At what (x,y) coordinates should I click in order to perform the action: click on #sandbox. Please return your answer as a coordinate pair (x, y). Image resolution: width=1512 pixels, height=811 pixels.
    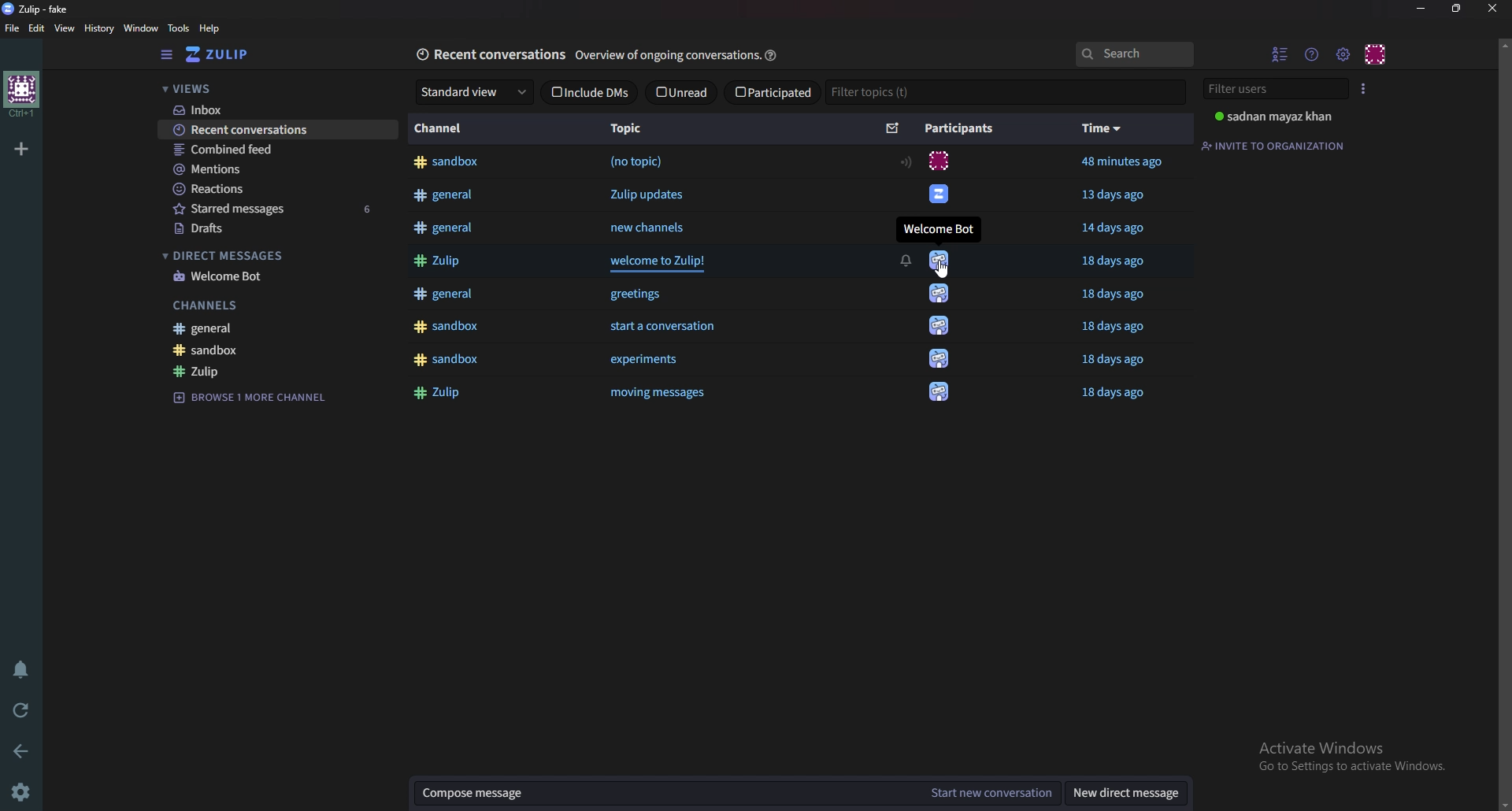
    Looking at the image, I should click on (447, 324).